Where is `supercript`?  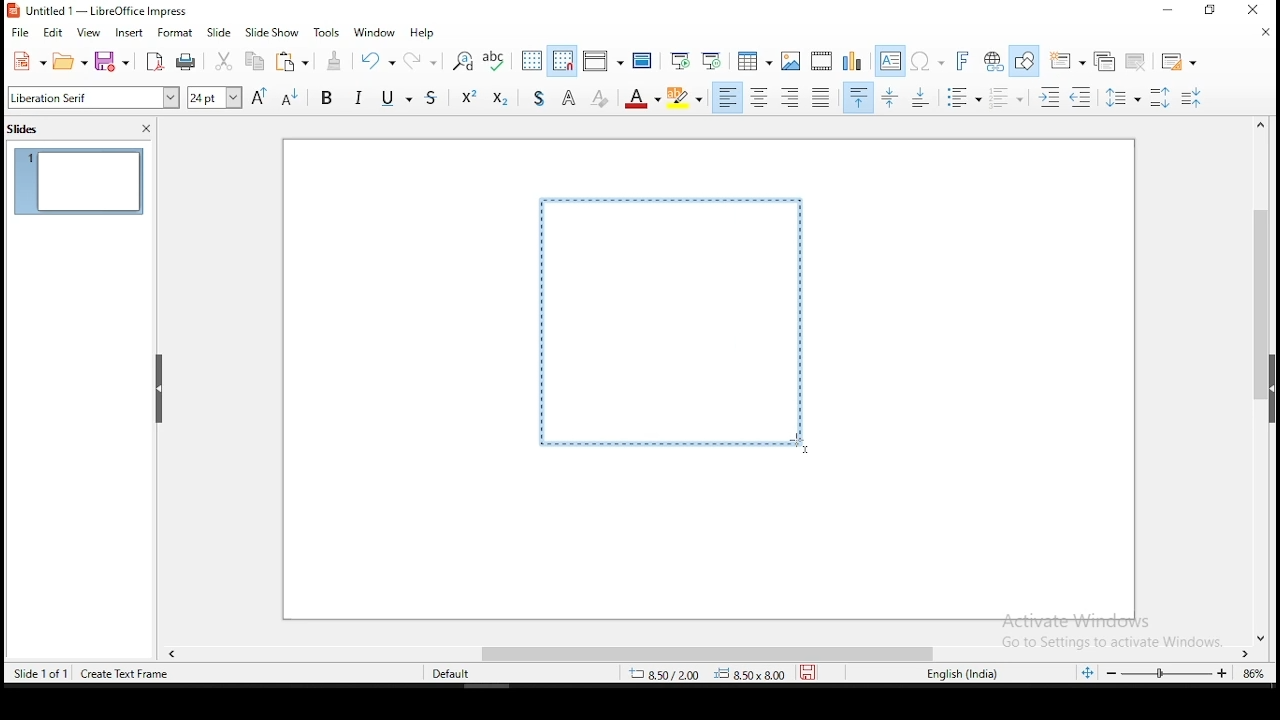 supercript is located at coordinates (464, 99).